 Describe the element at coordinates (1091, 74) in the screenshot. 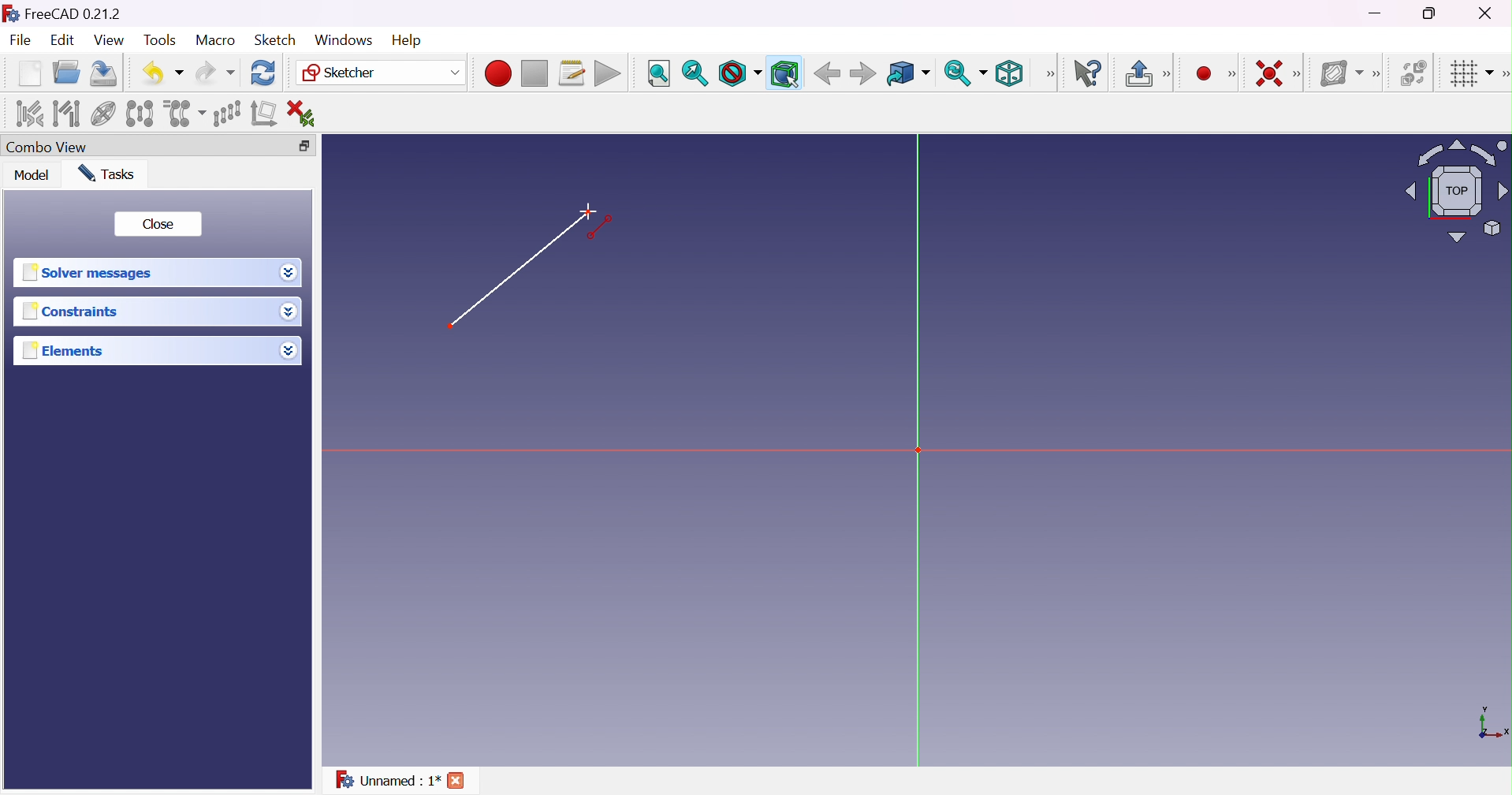

I see `What's this?` at that location.